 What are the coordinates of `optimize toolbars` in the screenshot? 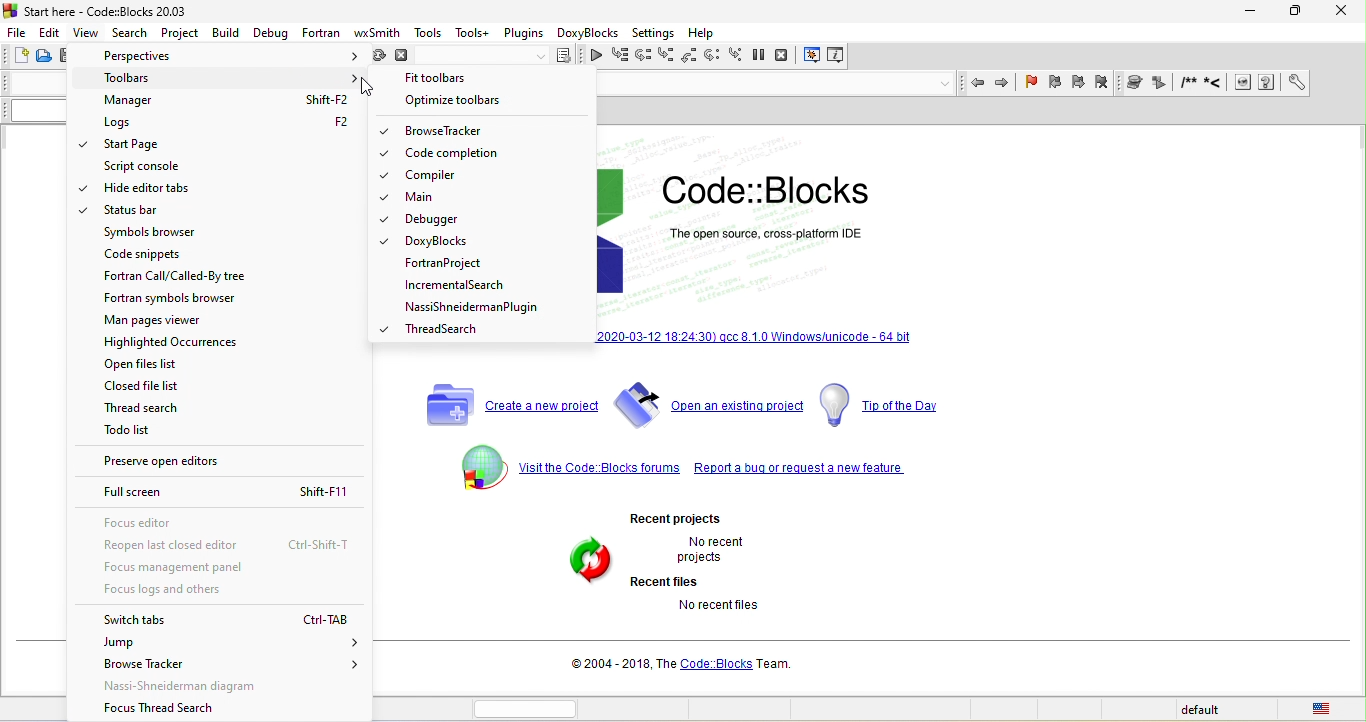 It's located at (465, 103).